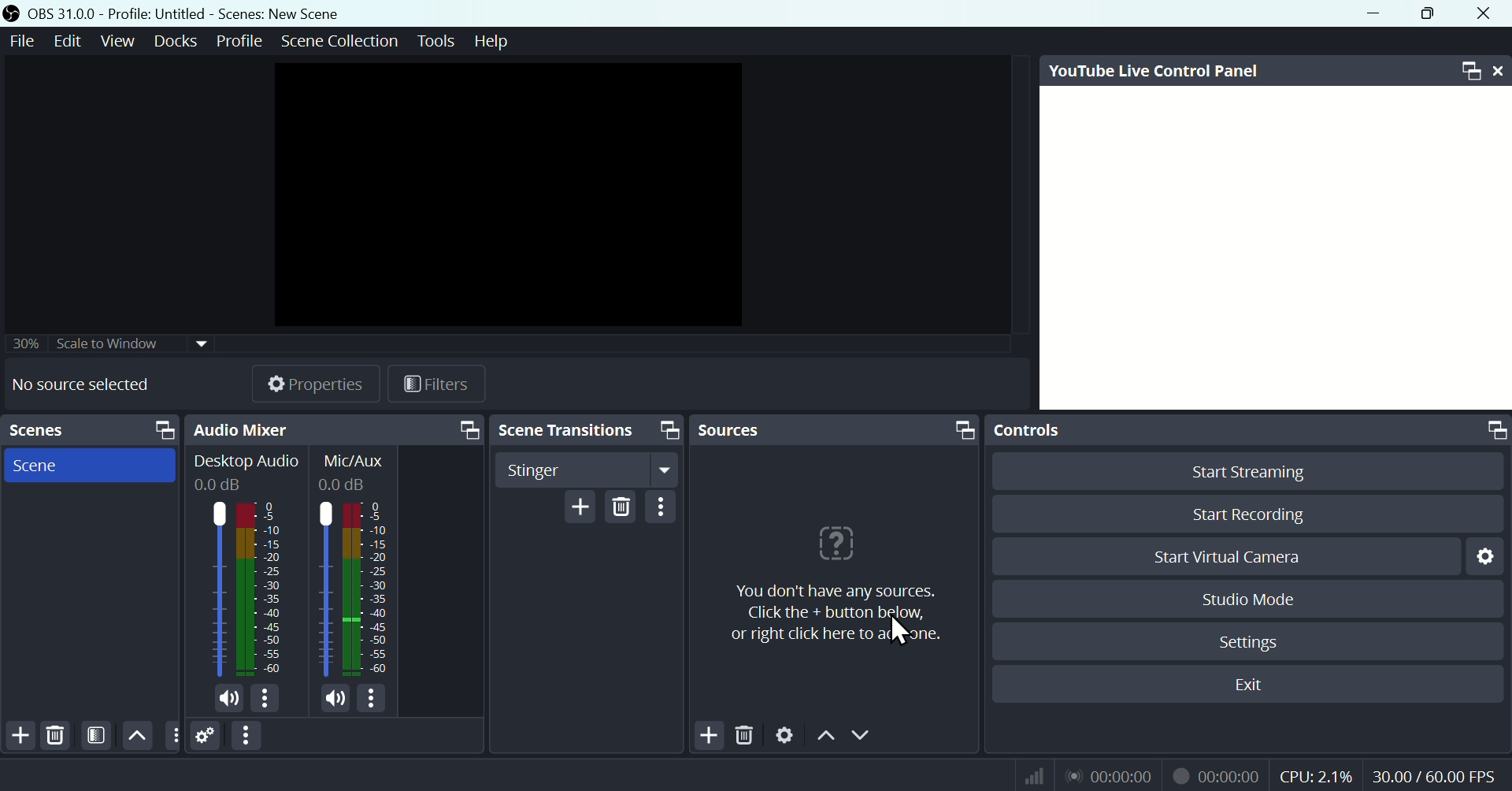 The image size is (1512, 791). Describe the element at coordinates (1492, 430) in the screenshot. I see `screen resize` at that location.